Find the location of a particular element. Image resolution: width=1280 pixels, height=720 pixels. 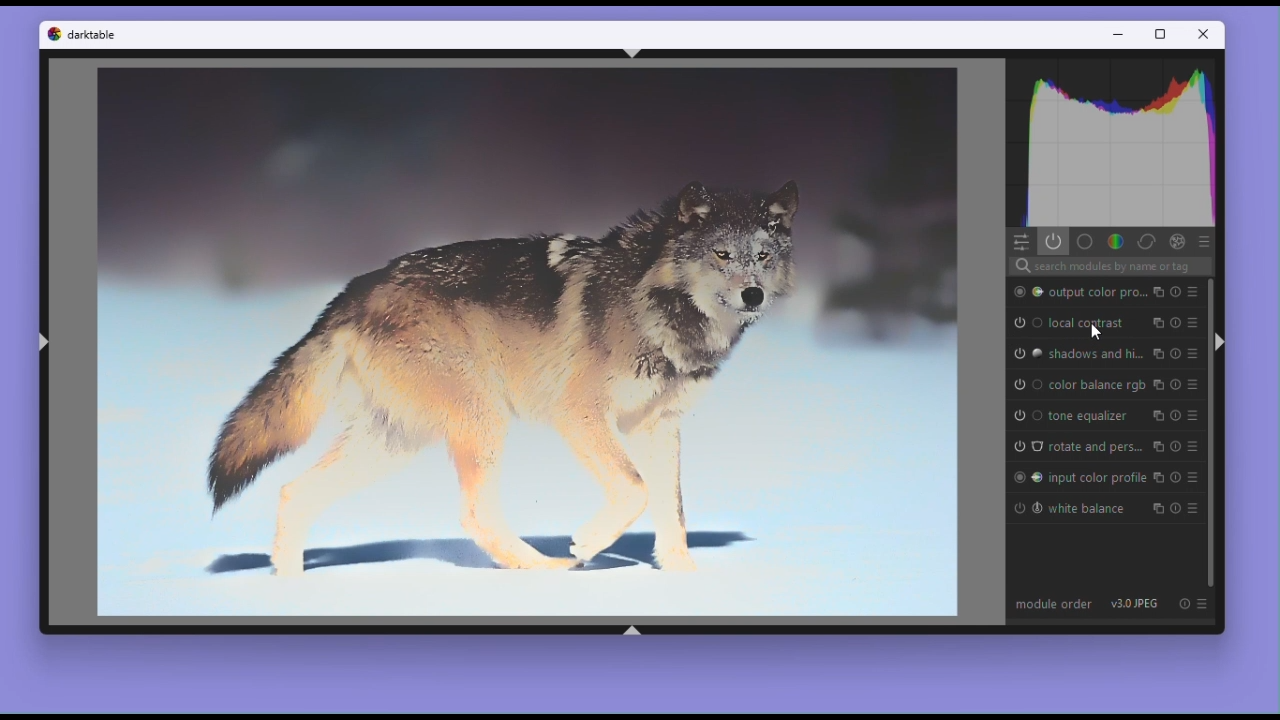

Module order v3.0 JPEG is located at coordinates (1085, 605).